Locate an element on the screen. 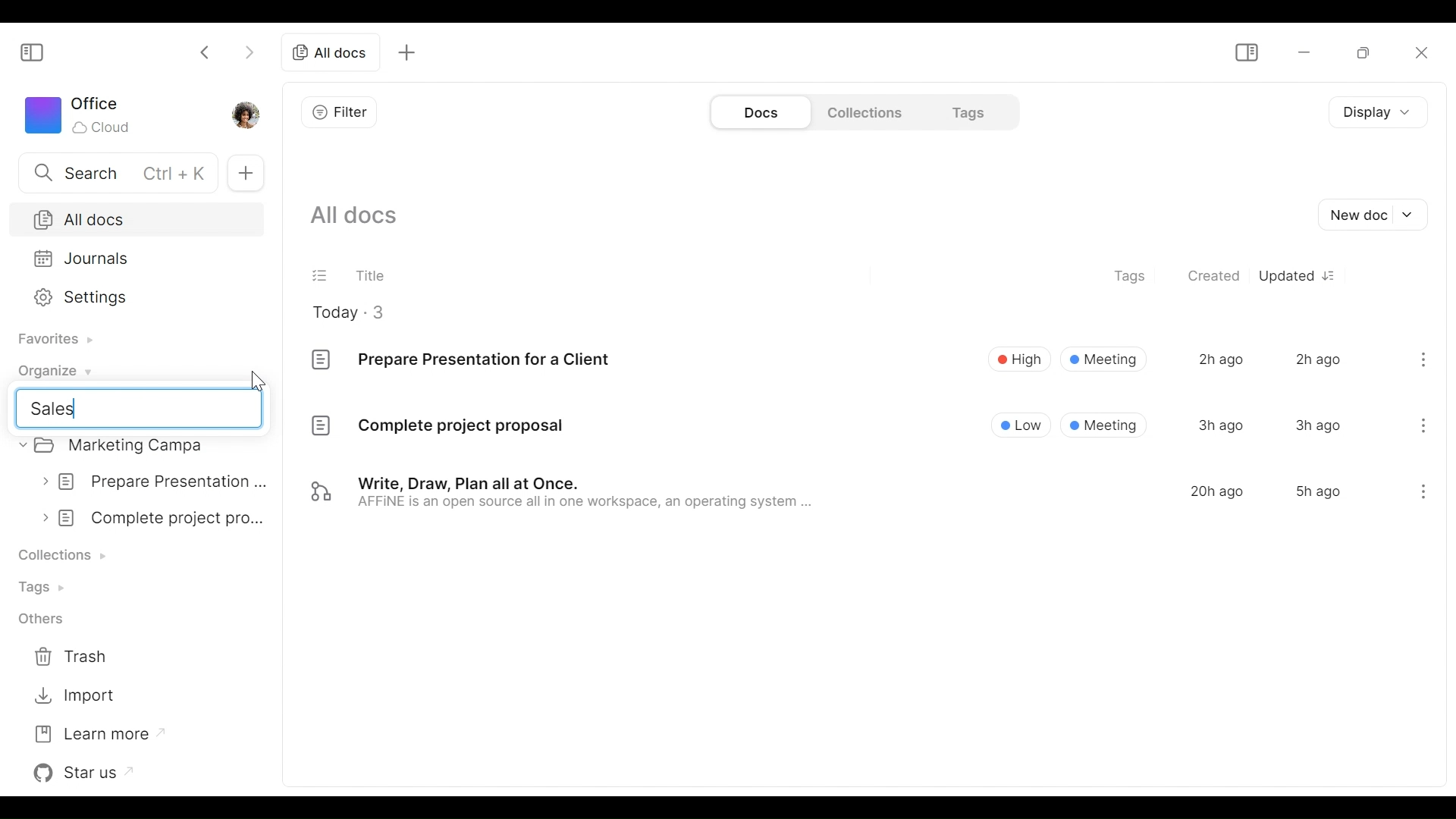  Created is located at coordinates (1215, 277).